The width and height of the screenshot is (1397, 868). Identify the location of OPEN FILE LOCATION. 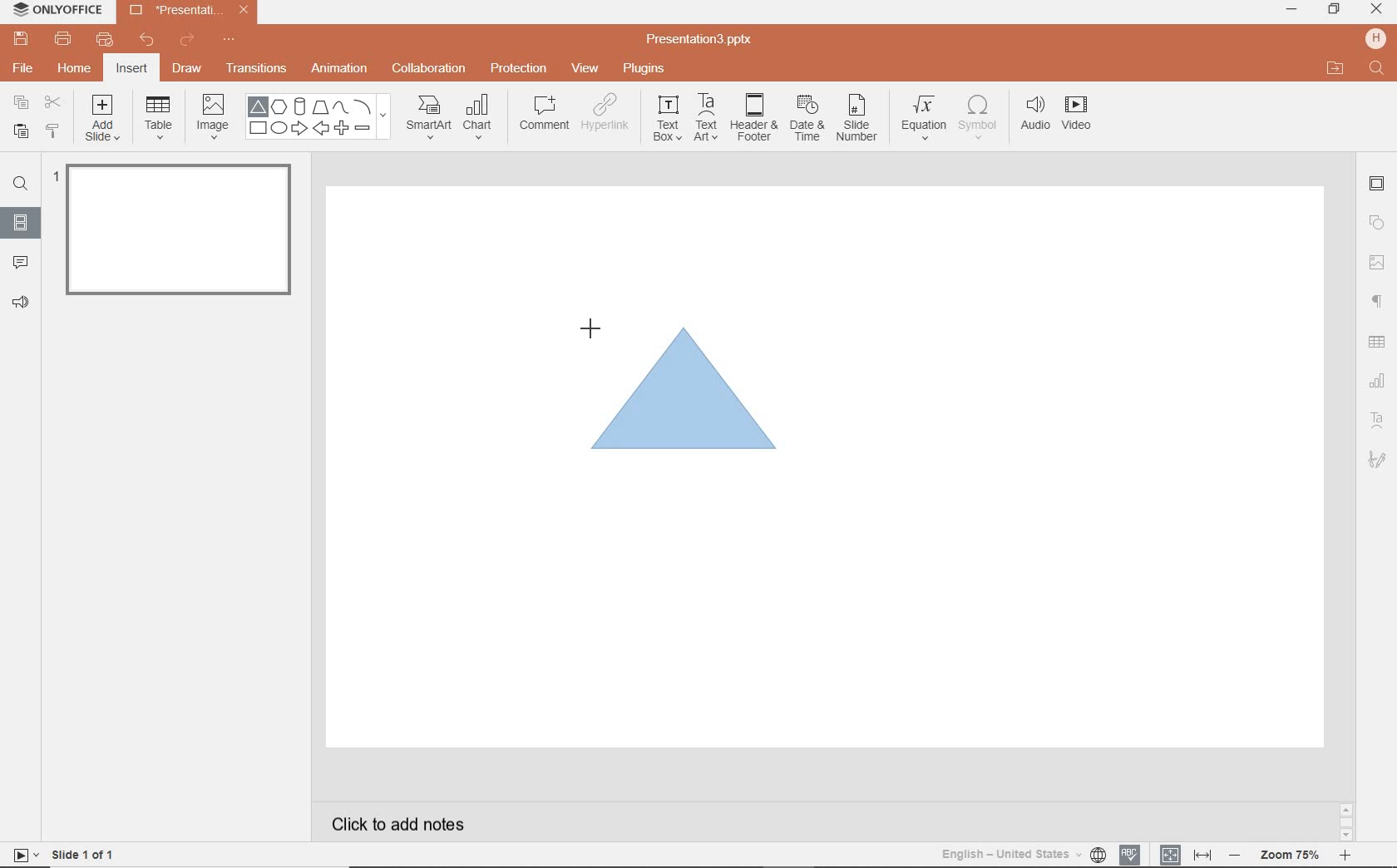
(1335, 68).